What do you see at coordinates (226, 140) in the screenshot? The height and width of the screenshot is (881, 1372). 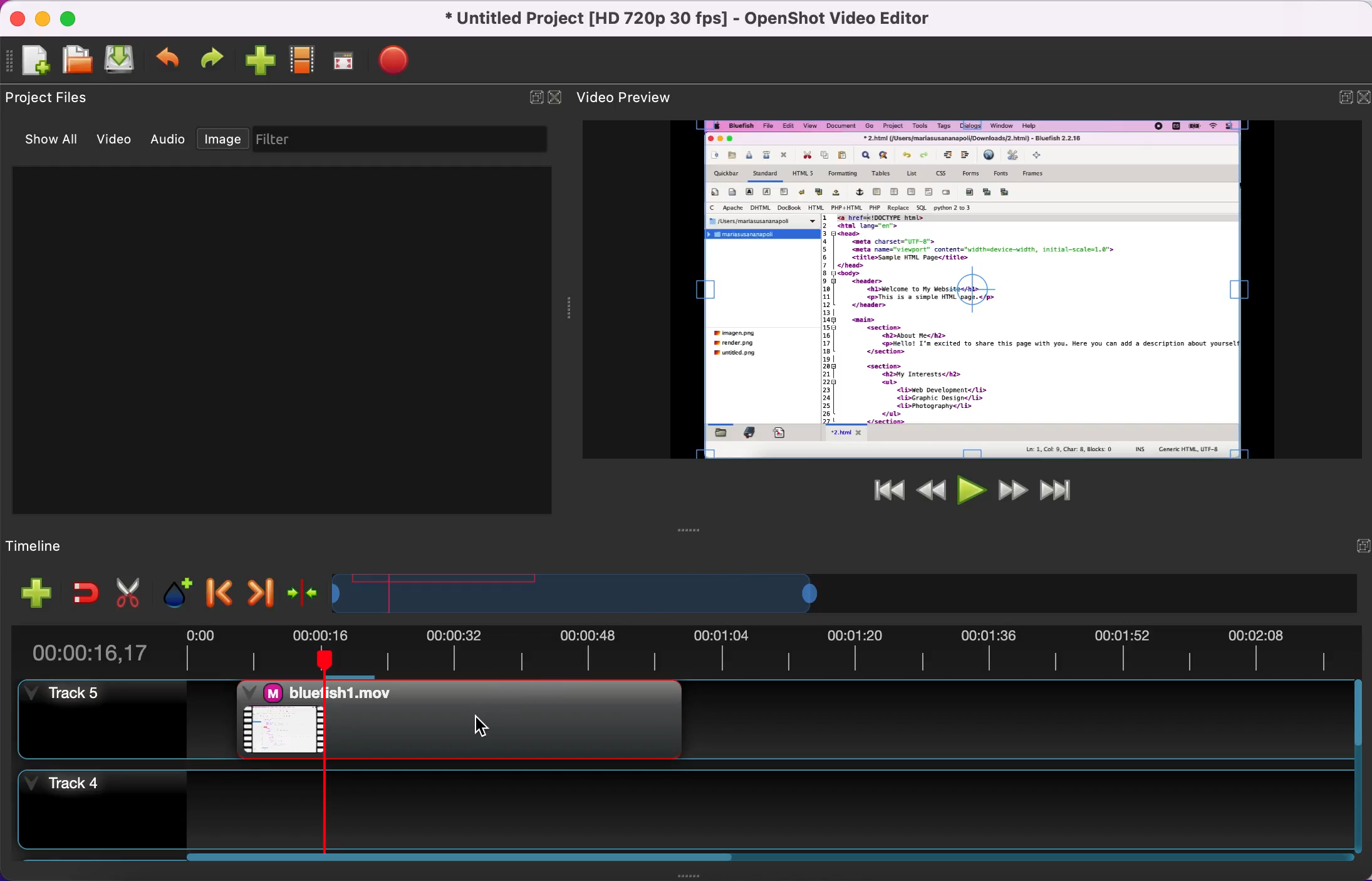 I see `image` at bounding box center [226, 140].